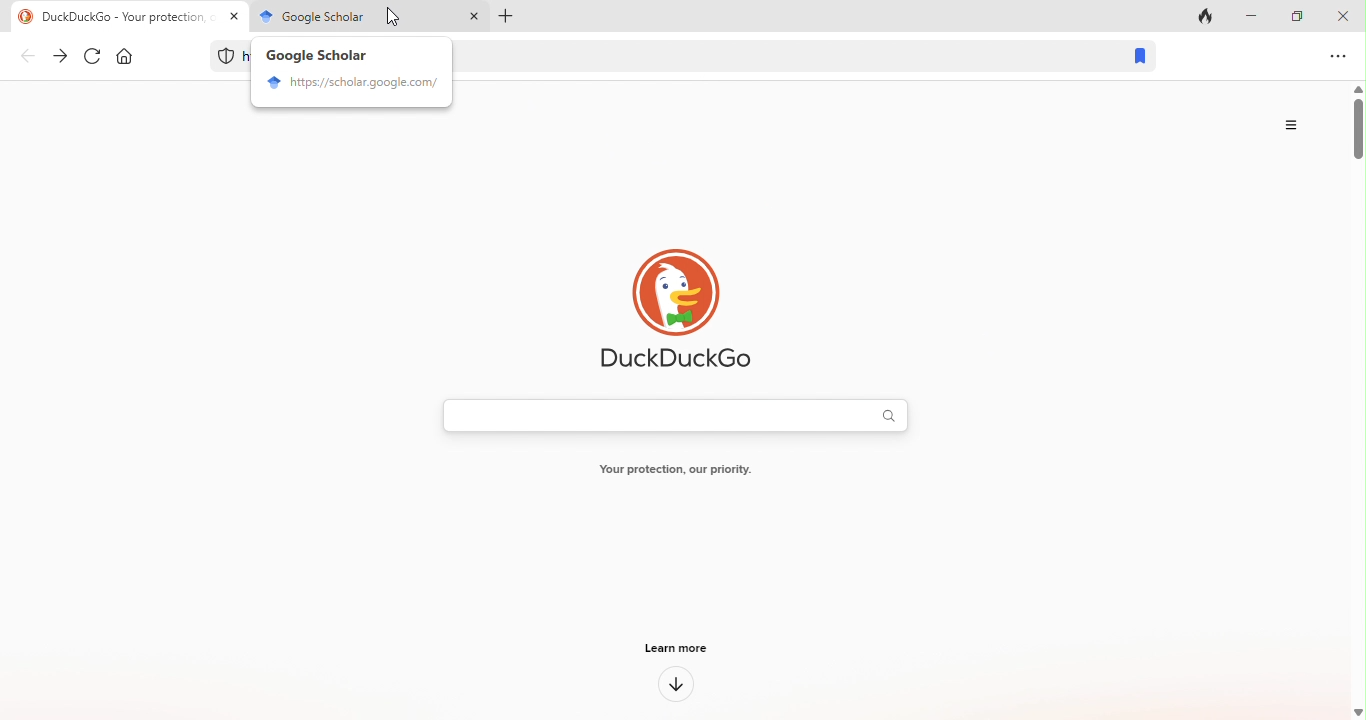  Describe the element at coordinates (1253, 15) in the screenshot. I see `minimize` at that location.